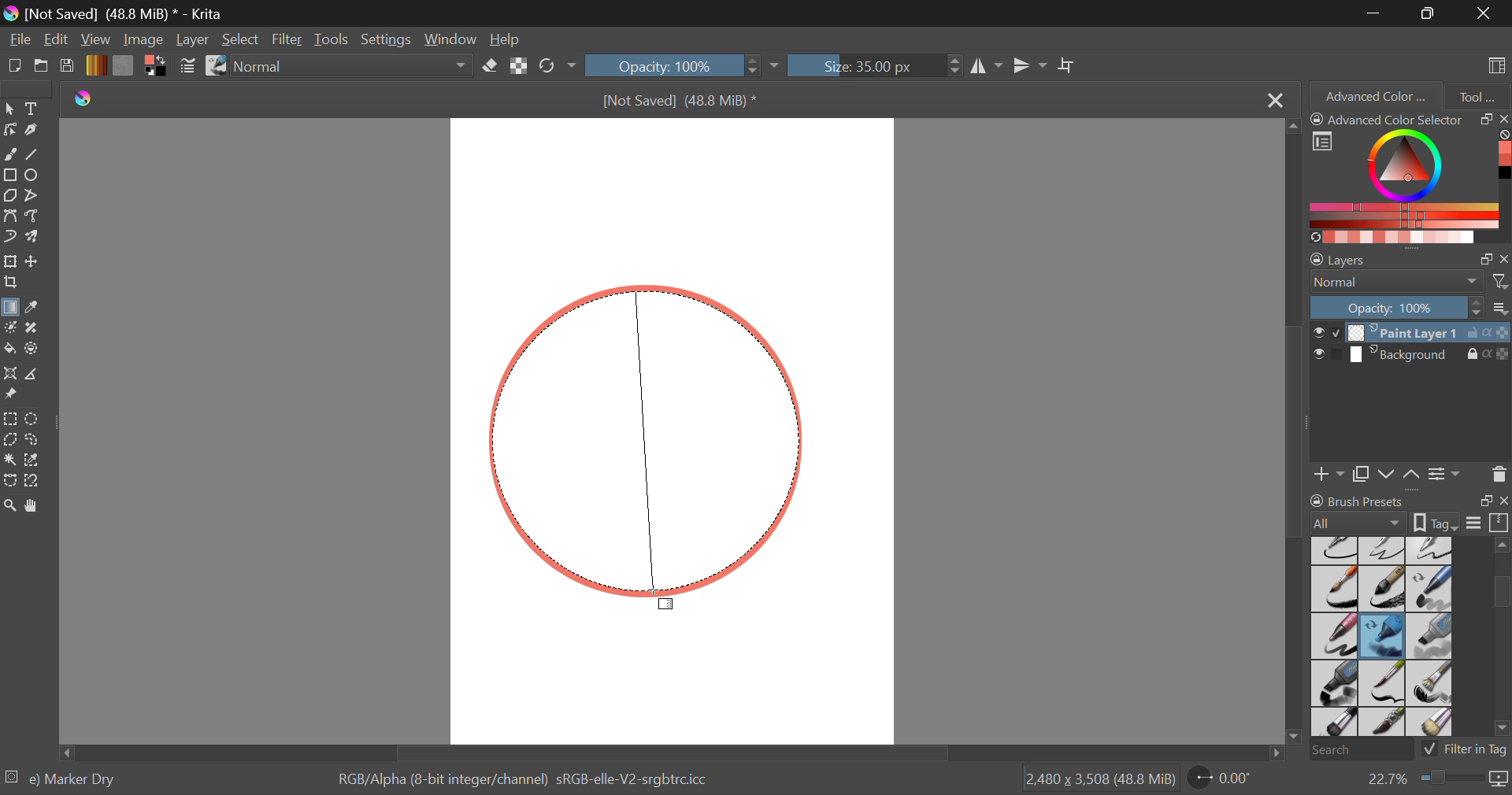 The image size is (1512, 795). What do you see at coordinates (9, 346) in the screenshot?
I see `Fill` at bounding box center [9, 346].